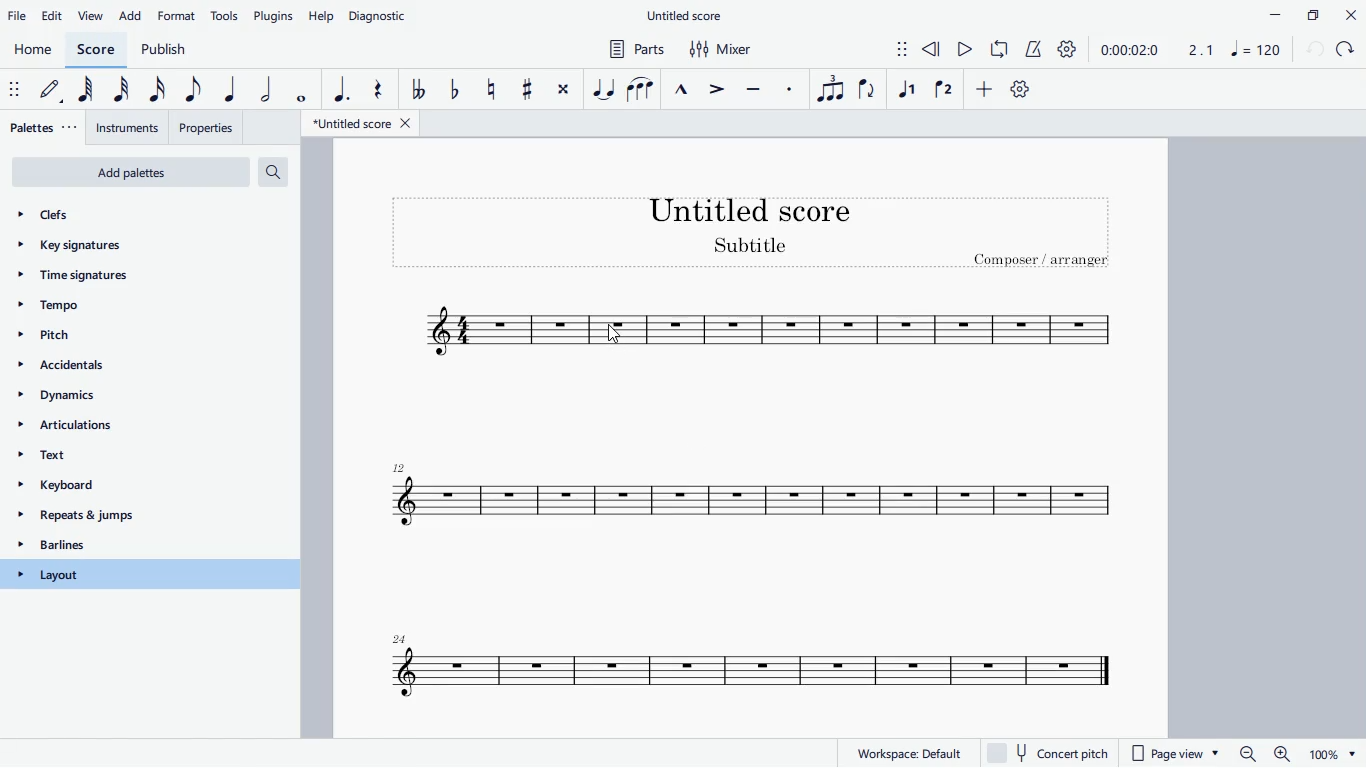 This screenshot has width=1366, height=768. Describe the element at coordinates (908, 752) in the screenshot. I see `workspace default` at that location.